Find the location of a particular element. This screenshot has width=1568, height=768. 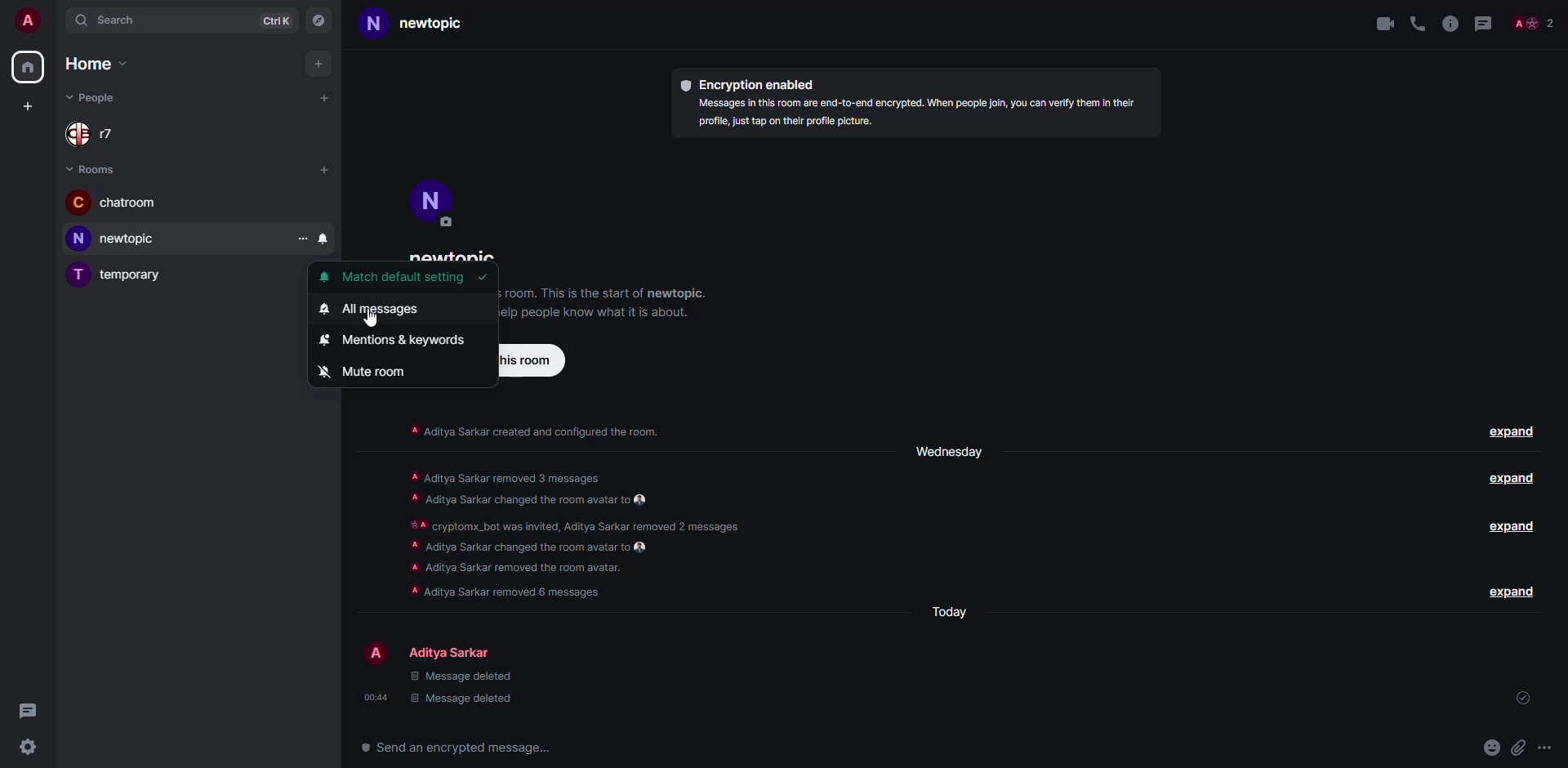

profile is located at coordinates (376, 651).